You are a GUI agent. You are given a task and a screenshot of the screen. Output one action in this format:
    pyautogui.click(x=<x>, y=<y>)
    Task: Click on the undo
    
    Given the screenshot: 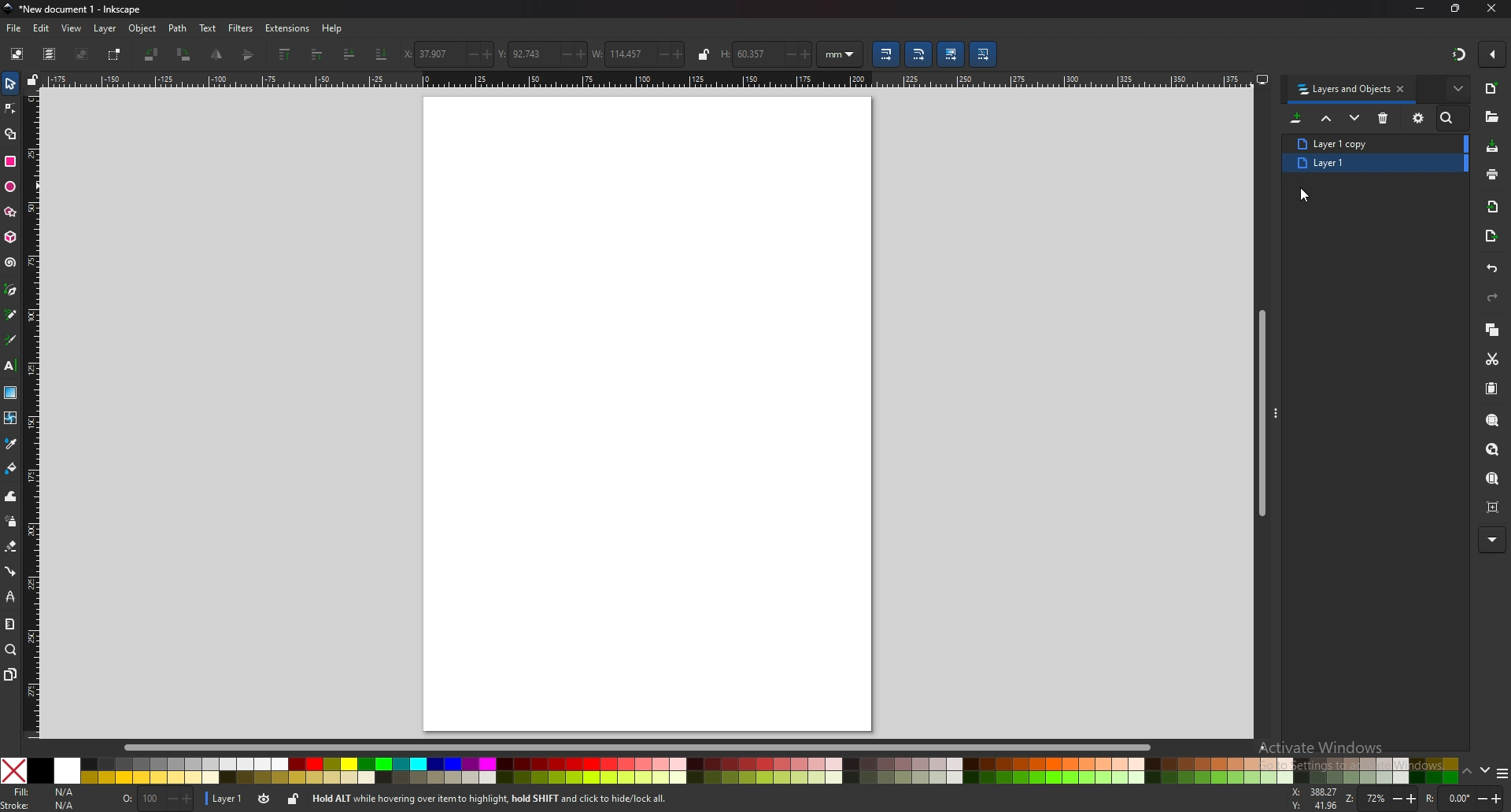 What is the action you would take?
    pyautogui.click(x=1492, y=270)
    